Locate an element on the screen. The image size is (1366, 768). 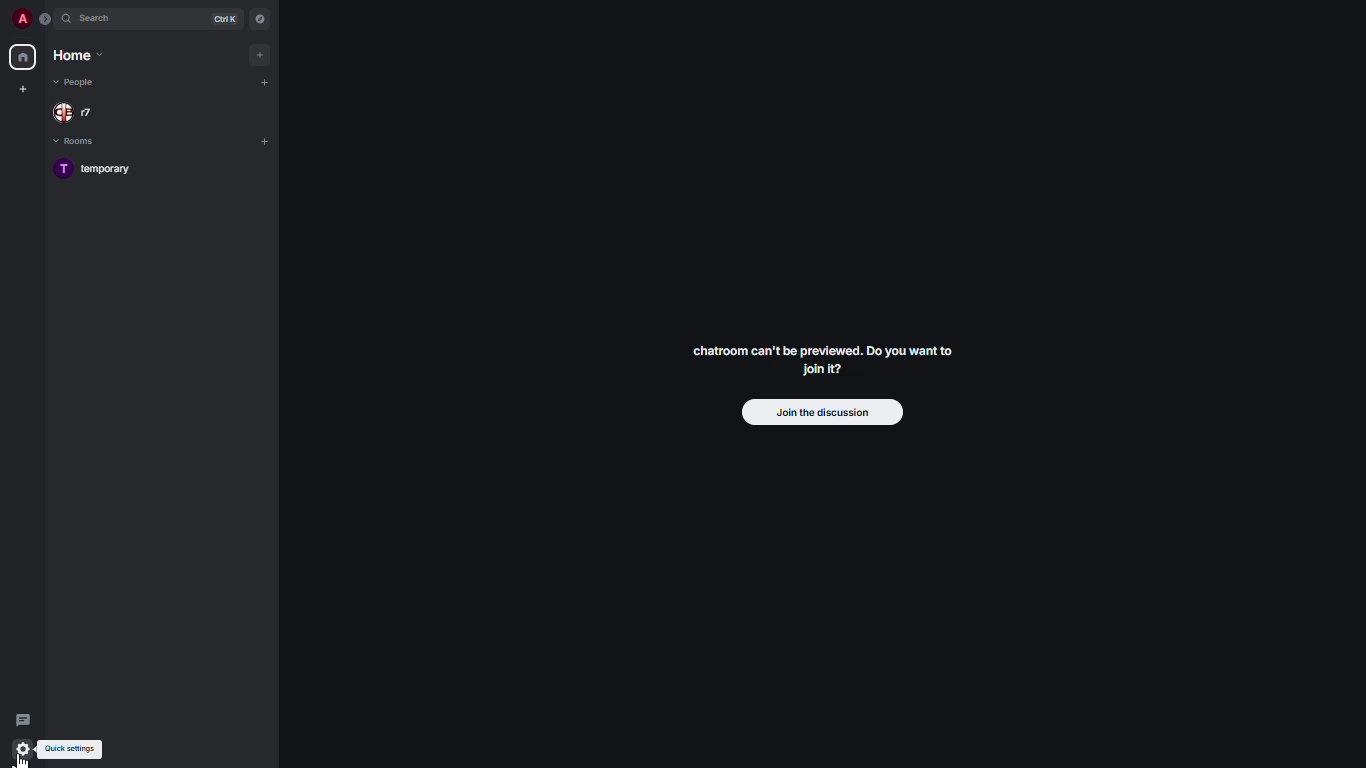
add is located at coordinates (266, 141).